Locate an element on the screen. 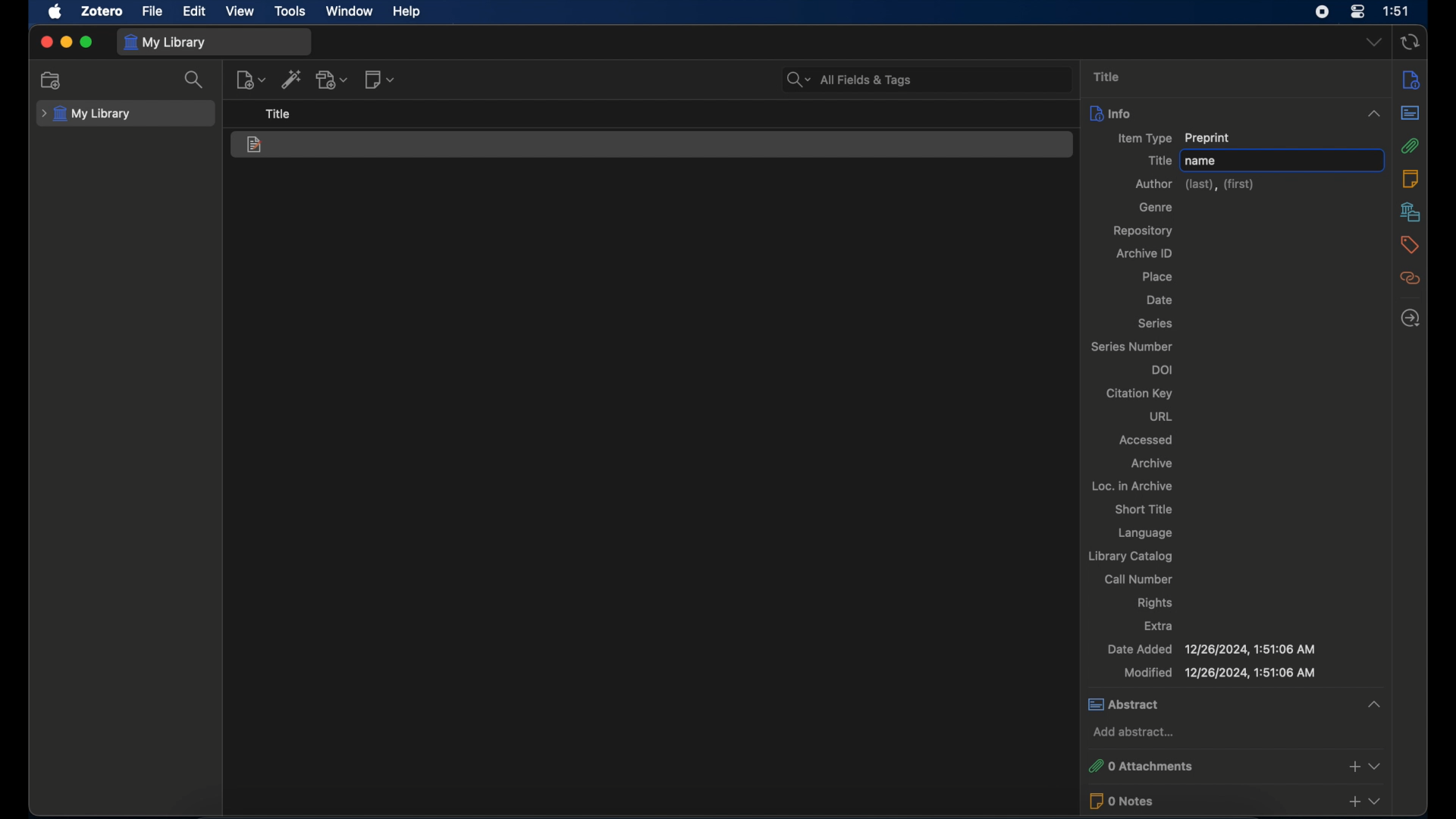 Image resolution: width=1456 pixels, height=819 pixels. apple  is located at coordinates (55, 12).